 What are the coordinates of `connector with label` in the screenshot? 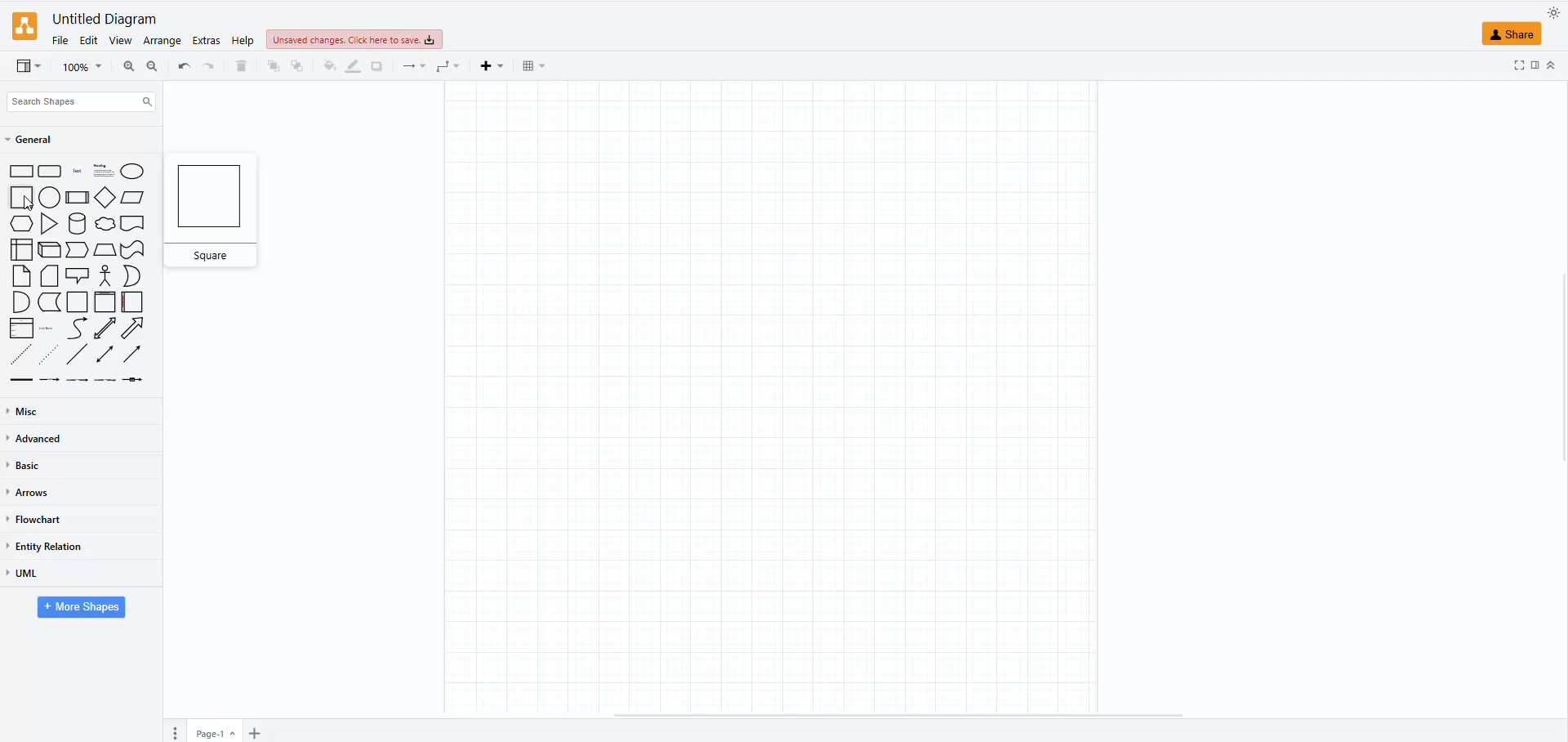 It's located at (51, 382).